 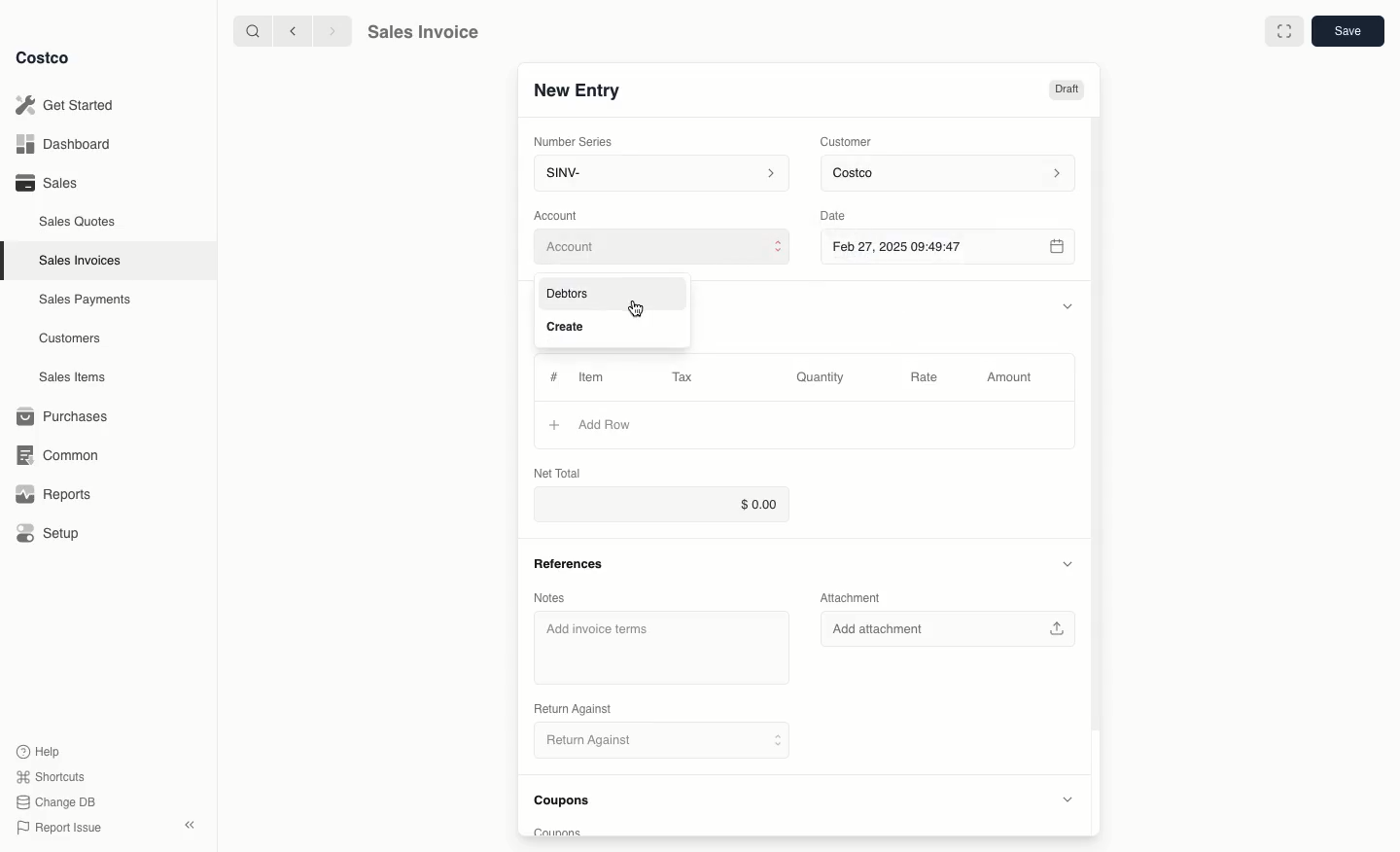 What do you see at coordinates (847, 140) in the screenshot?
I see `Customer` at bounding box center [847, 140].